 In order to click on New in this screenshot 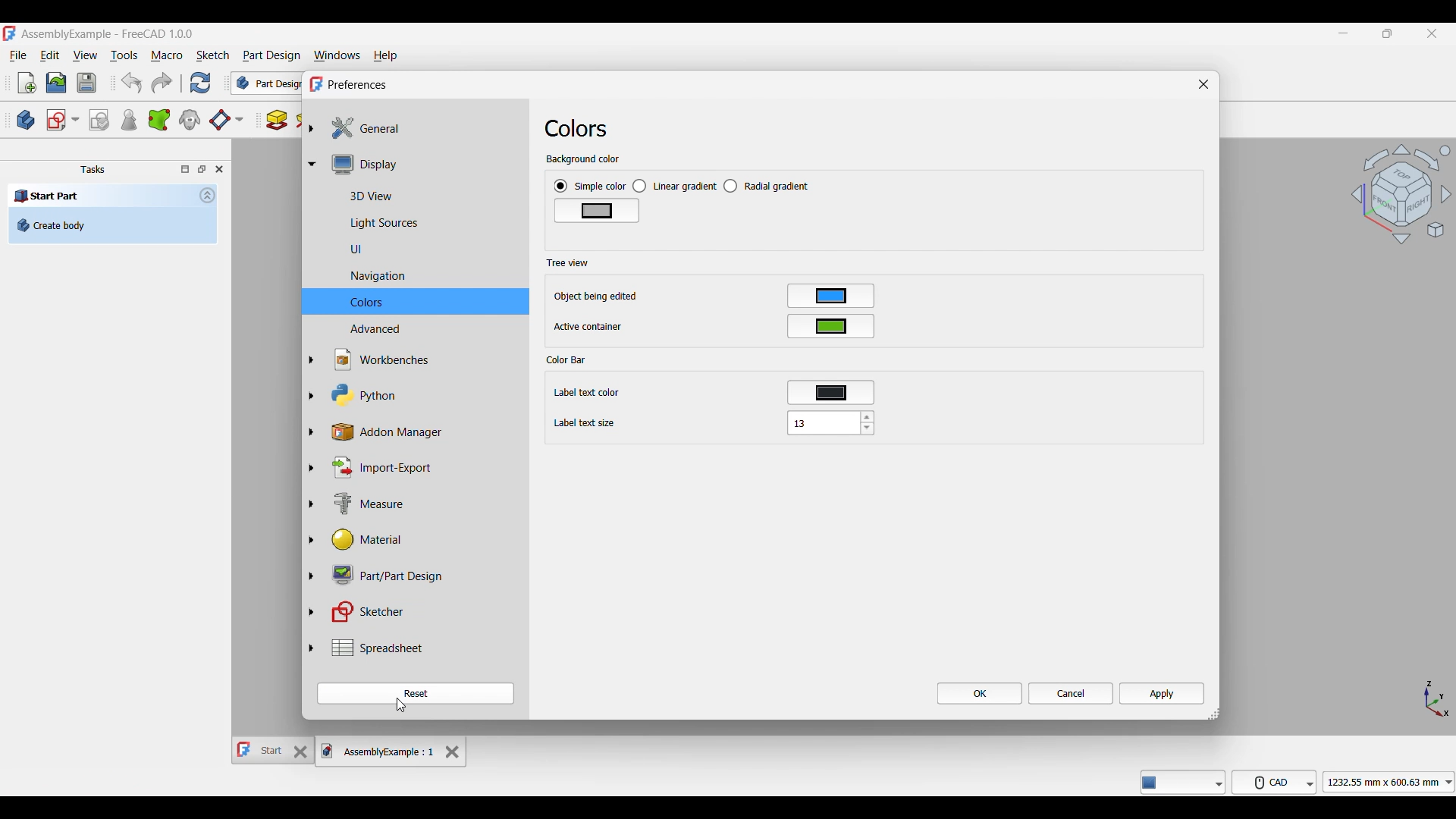, I will do `click(27, 83)`.